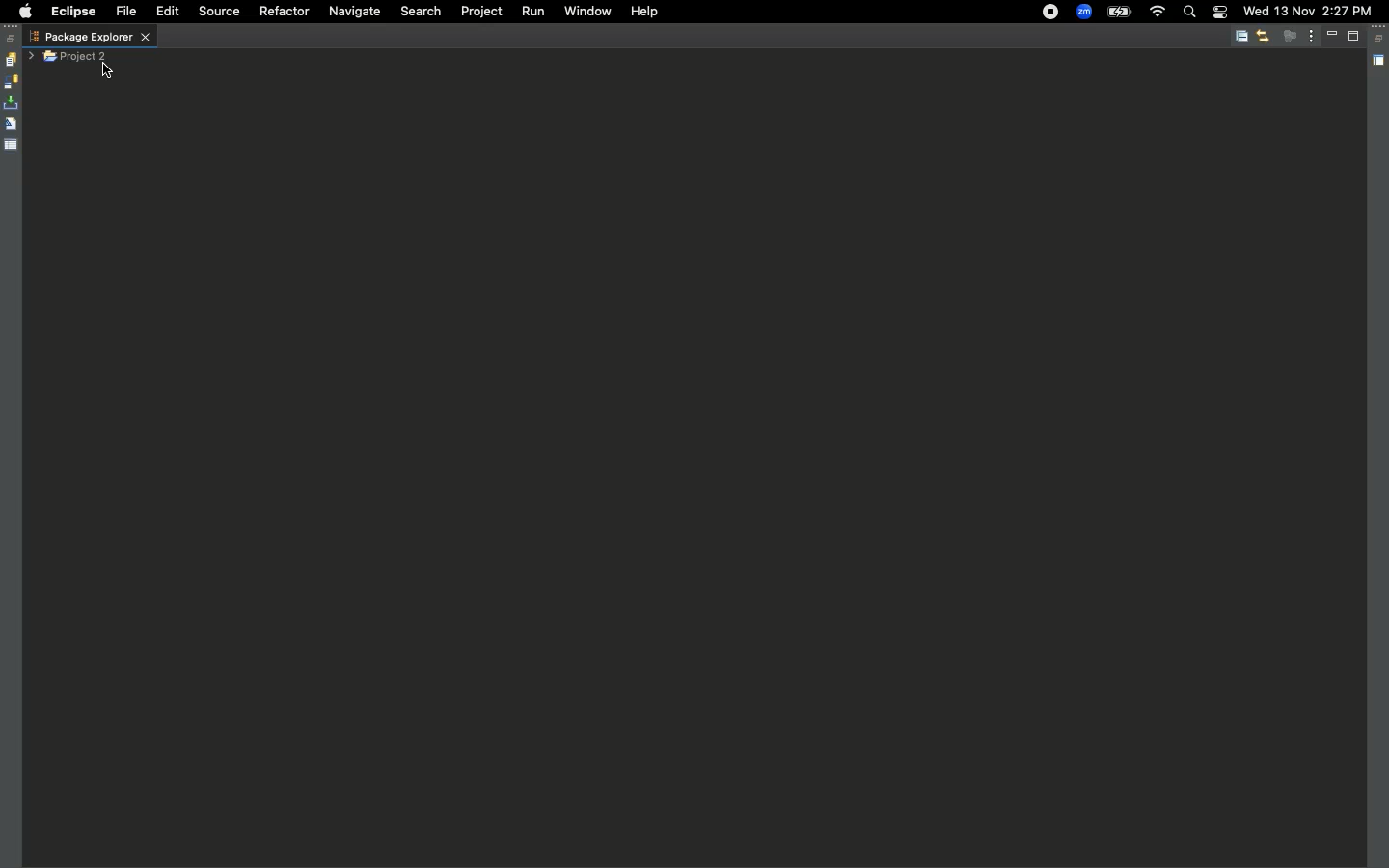  Describe the element at coordinates (22, 12) in the screenshot. I see `Apple logo` at that location.